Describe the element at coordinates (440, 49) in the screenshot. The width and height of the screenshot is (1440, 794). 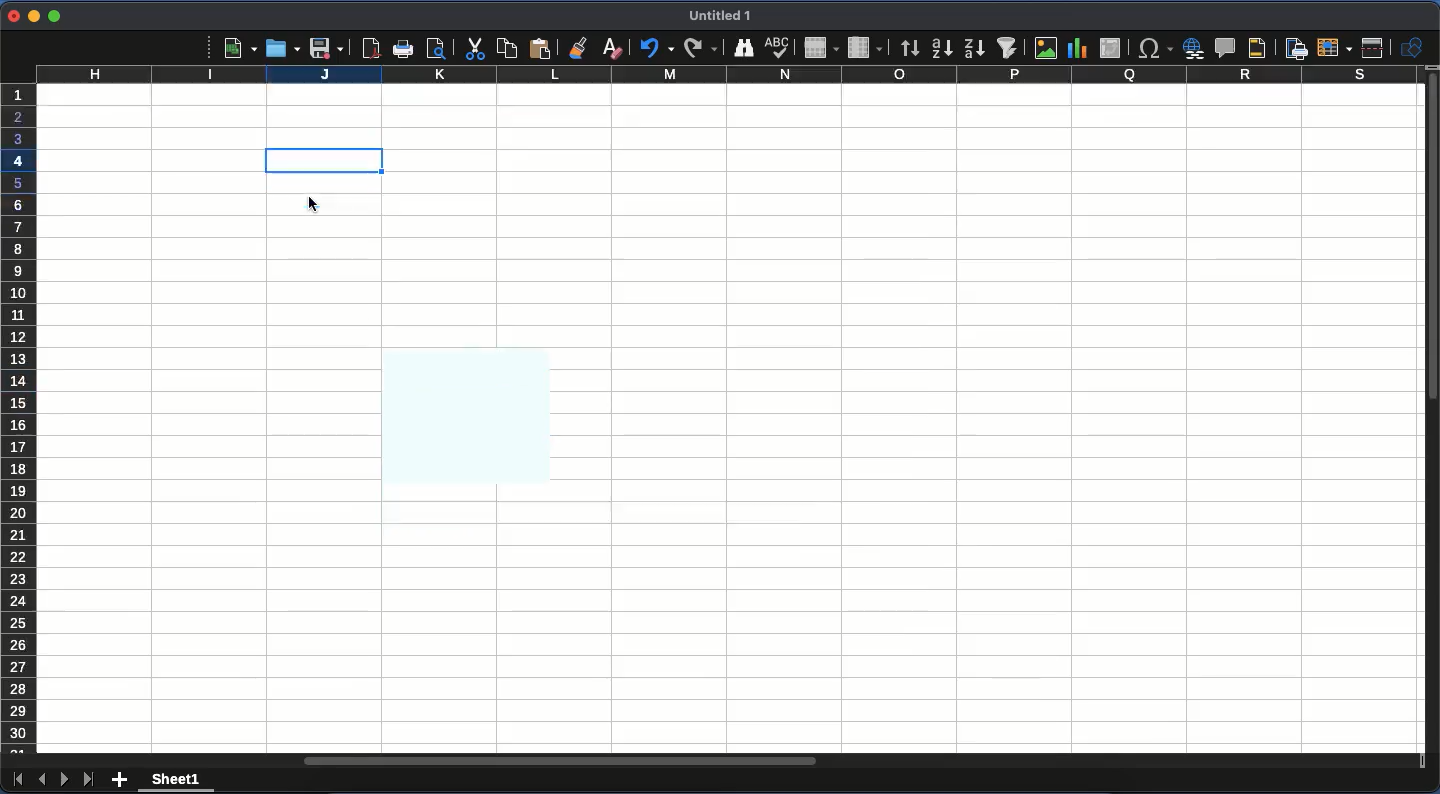
I see `print preview ` at that location.